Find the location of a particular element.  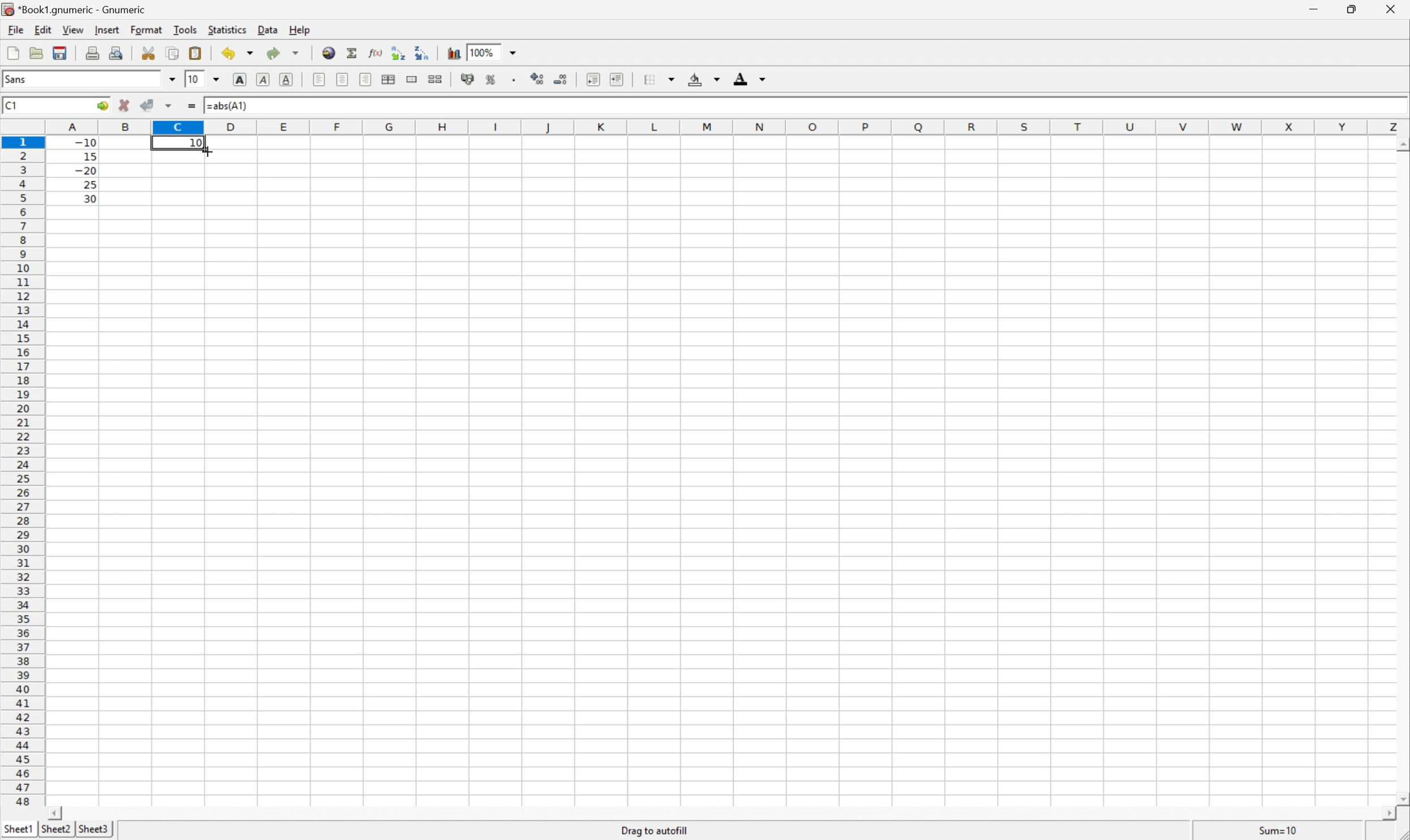

Sheet1 is located at coordinates (19, 827).